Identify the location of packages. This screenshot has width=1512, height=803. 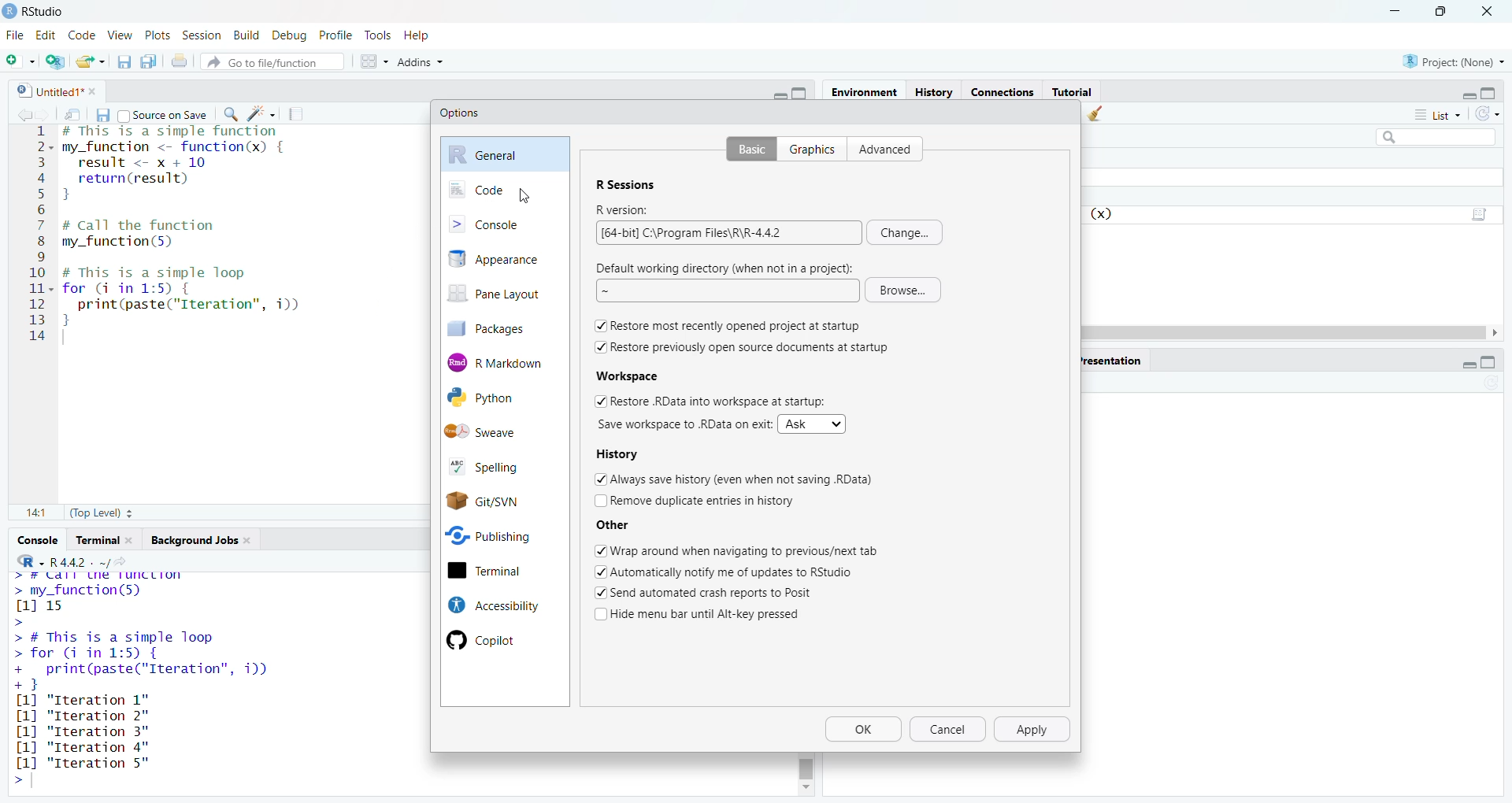
(498, 328).